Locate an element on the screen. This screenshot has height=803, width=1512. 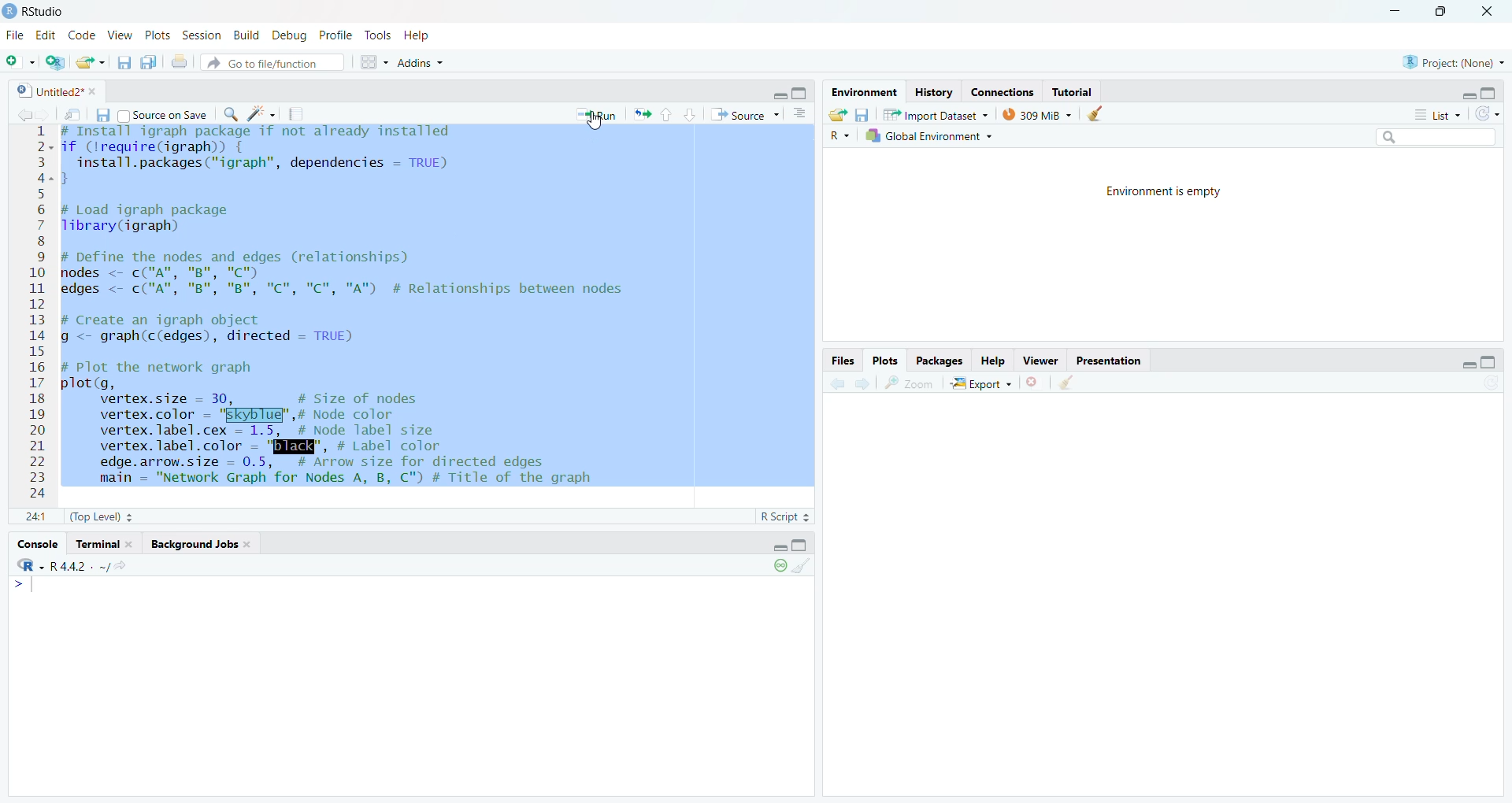
History is located at coordinates (936, 92).